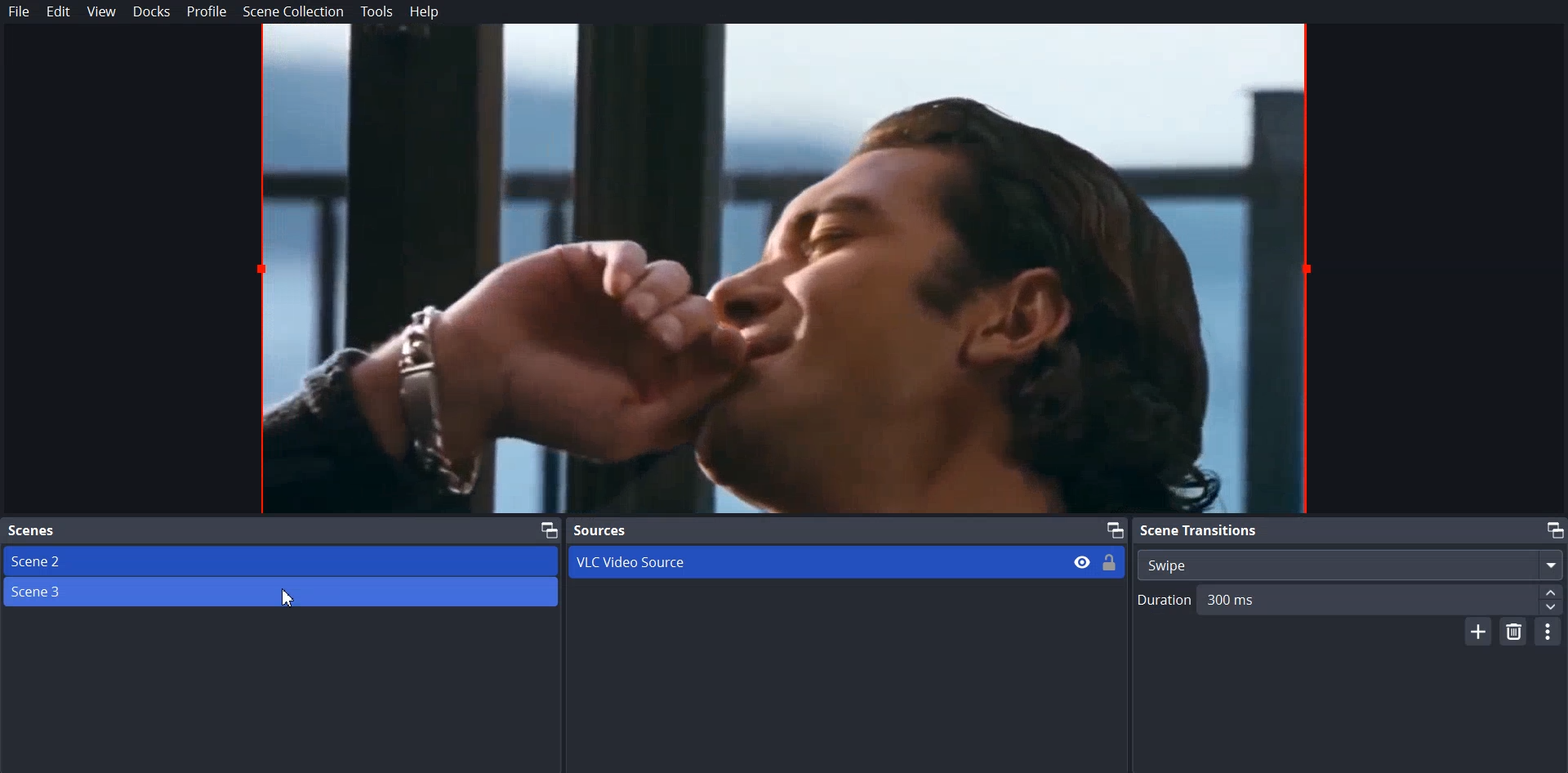 The image size is (1568, 773). Describe the element at coordinates (59, 12) in the screenshot. I see `Edit` at that location.